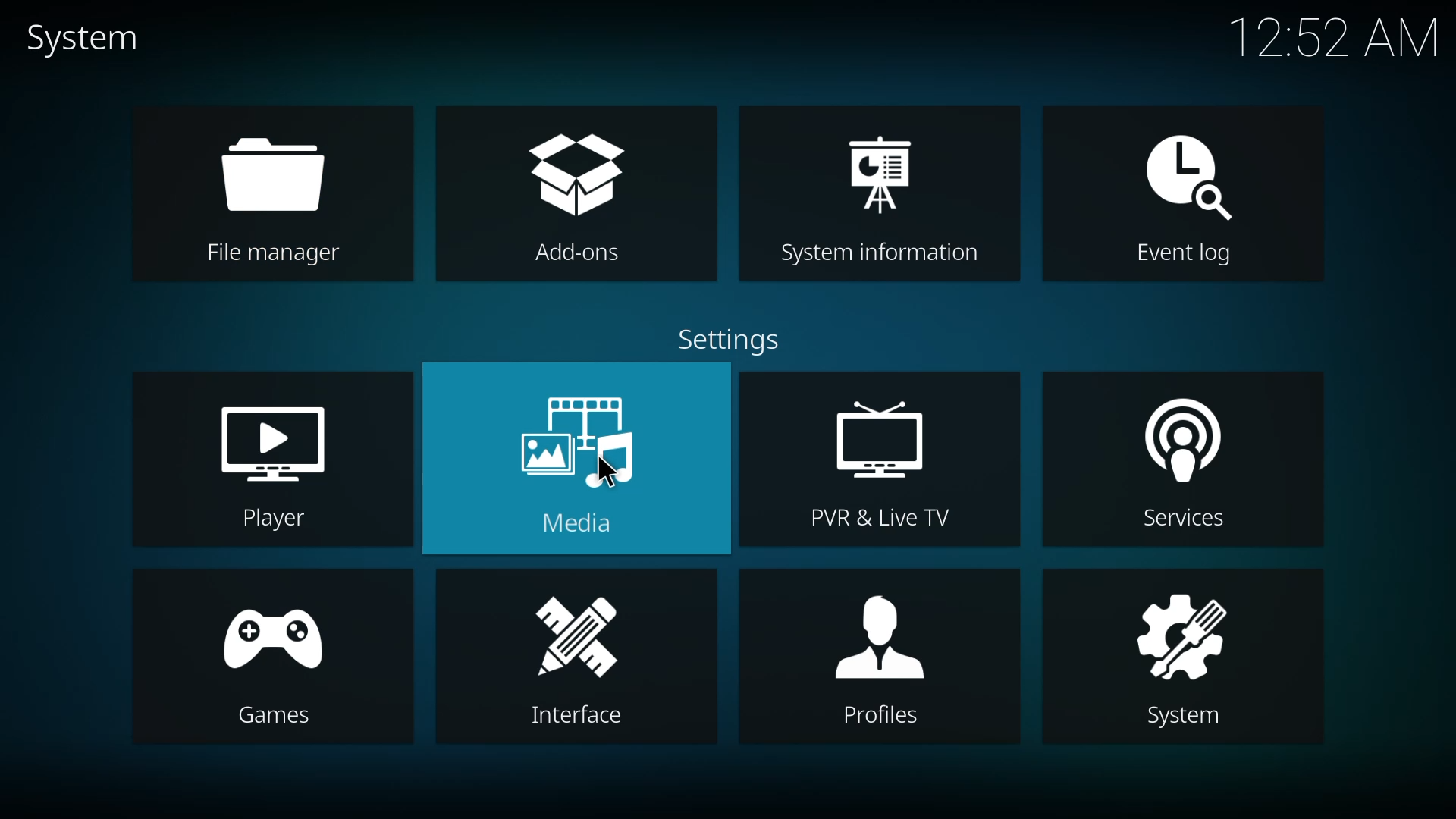  I want to click on Media, so click(576, 526).